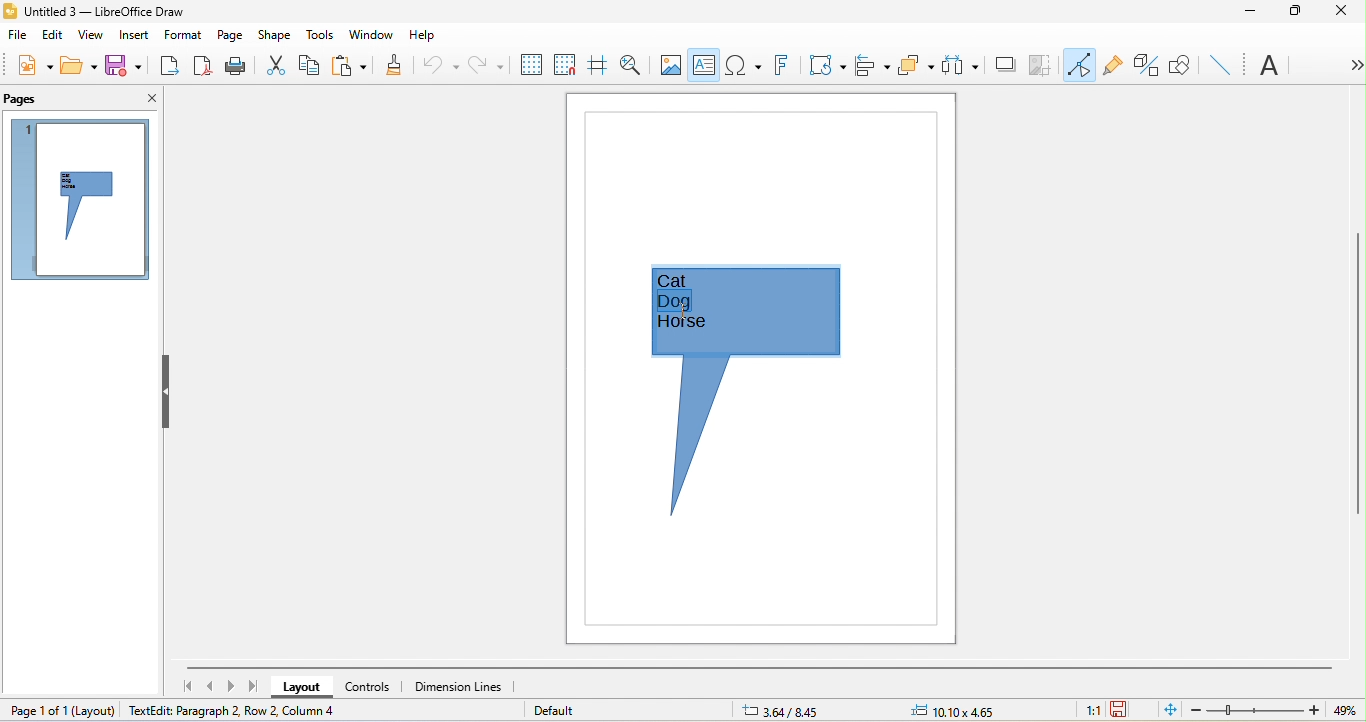 The width and height of the screenshot is (1366, 722). What do you see at coordinates (689, 281) in the screenshot?
I see `cat` at bounding box center [689, 281].